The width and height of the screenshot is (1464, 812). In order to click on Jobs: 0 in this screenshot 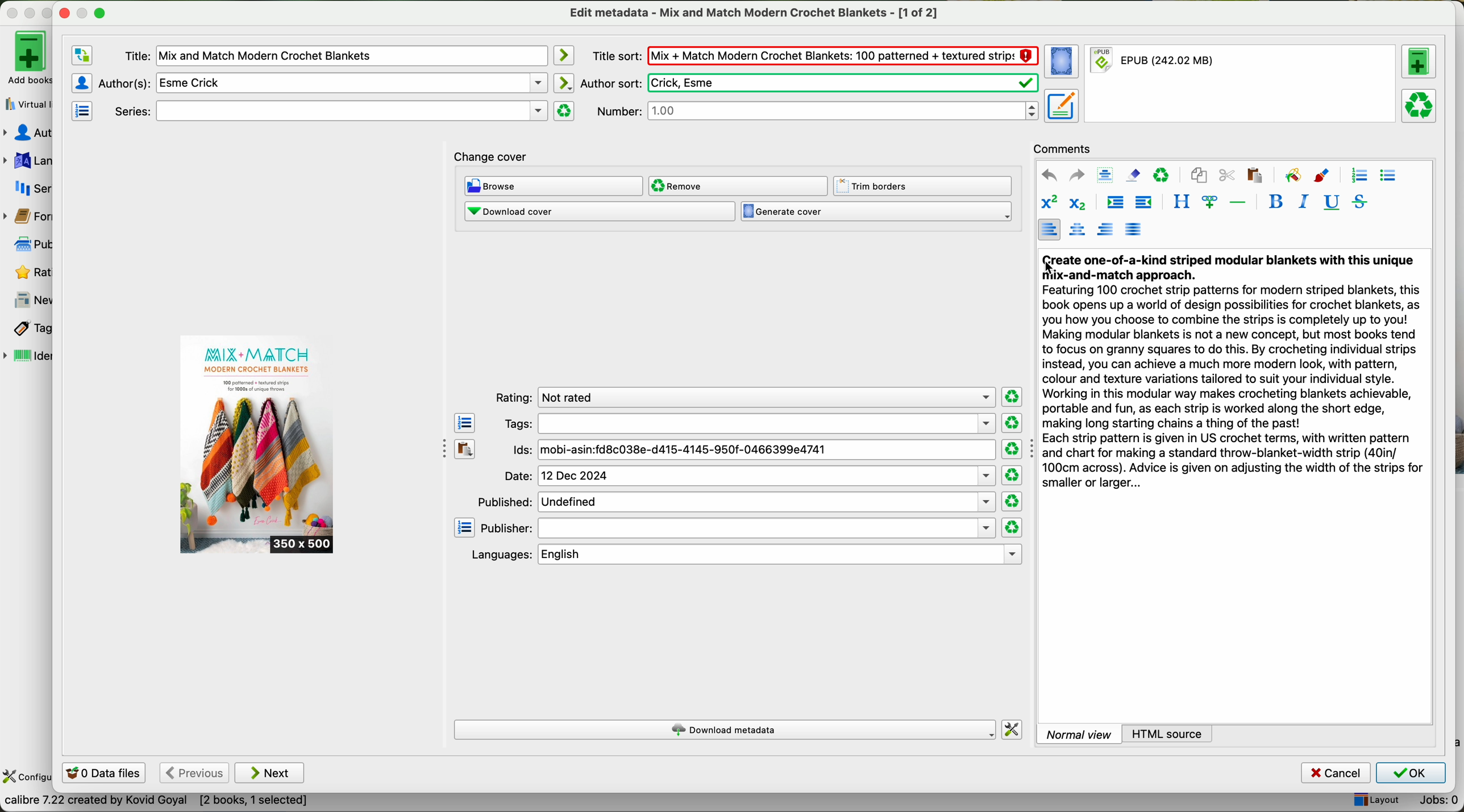, I will do `click(1434, 802)`.